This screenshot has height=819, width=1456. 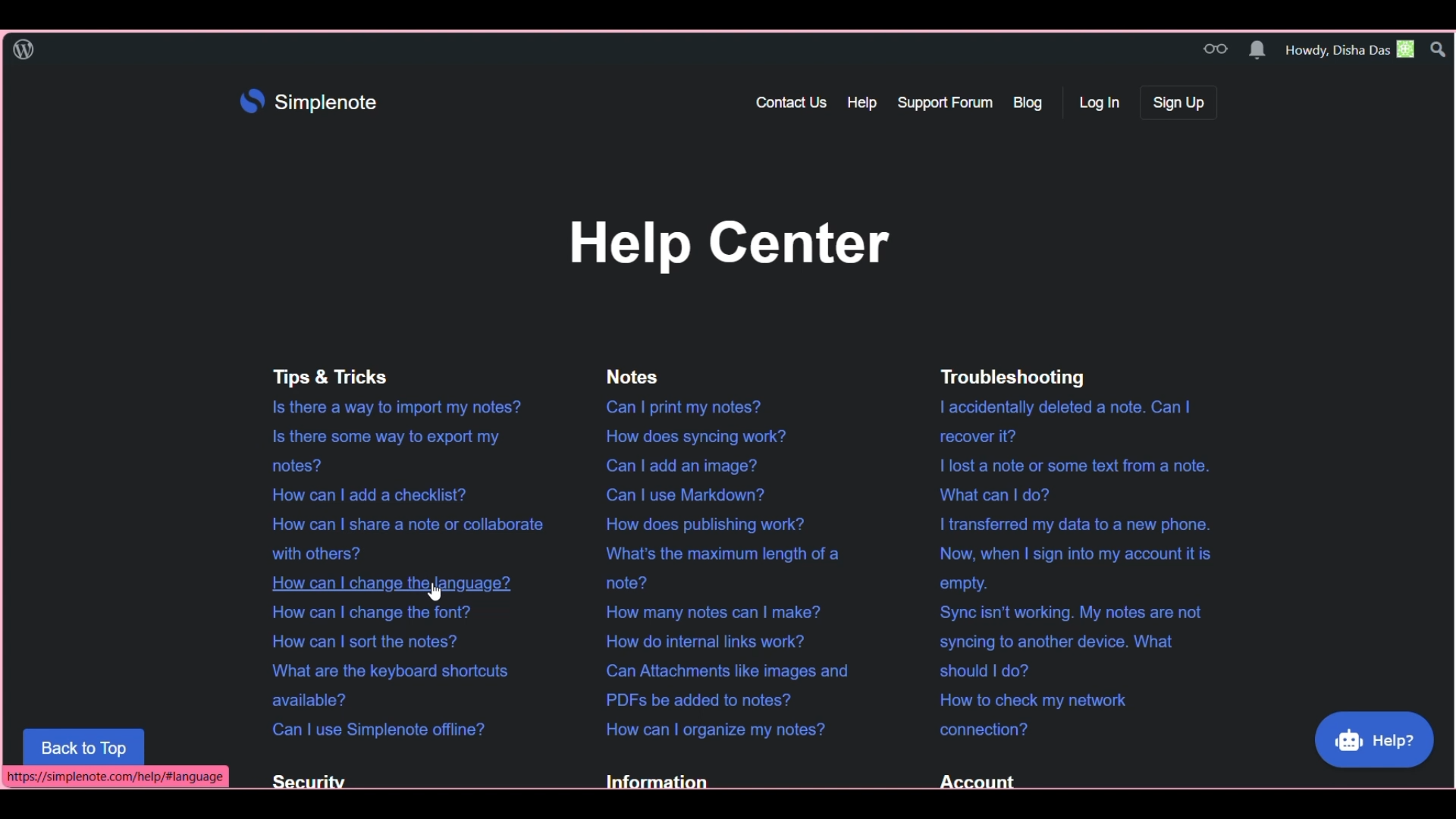 I want to click on Click to go to WordPress dashboard, so click(x=23, y=49).